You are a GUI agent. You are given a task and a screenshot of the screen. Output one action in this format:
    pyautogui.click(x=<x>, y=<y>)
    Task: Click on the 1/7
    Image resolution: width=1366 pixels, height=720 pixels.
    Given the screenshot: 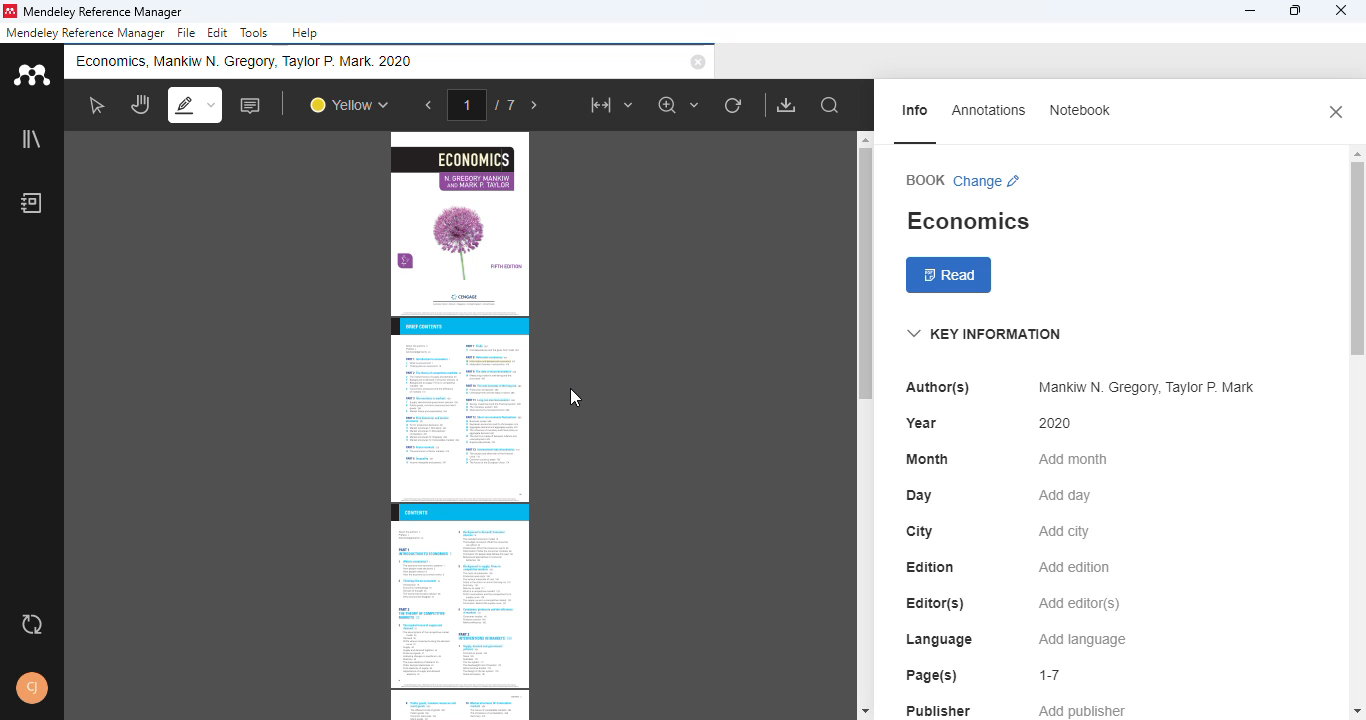 What is the action you would take?
    pyautogui.click(x=486, y=104)
    